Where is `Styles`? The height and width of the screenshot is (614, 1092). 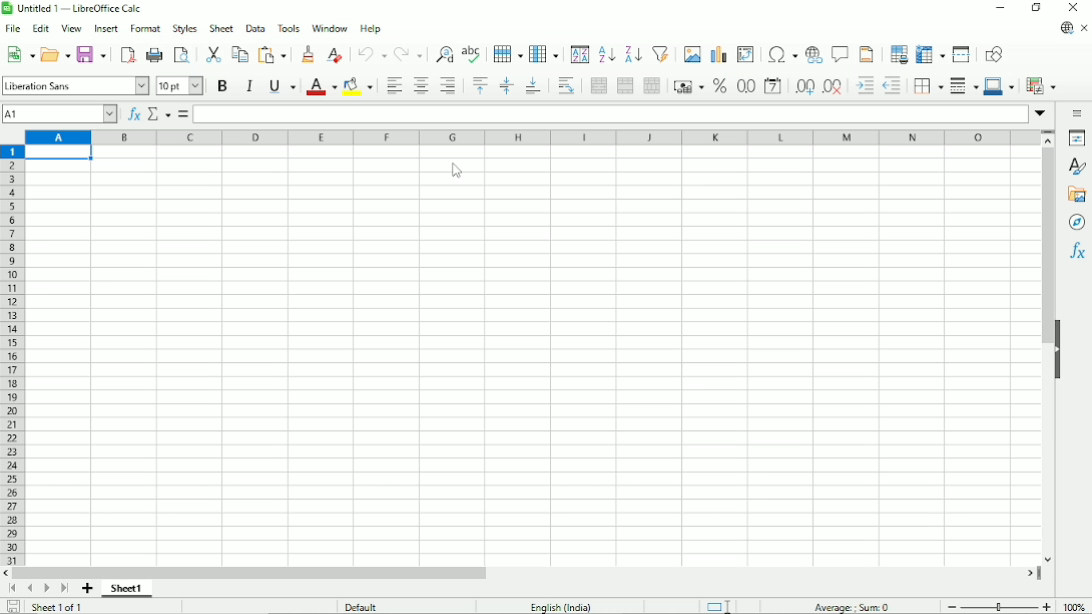
Styles is located at coordinates (1076, 167).